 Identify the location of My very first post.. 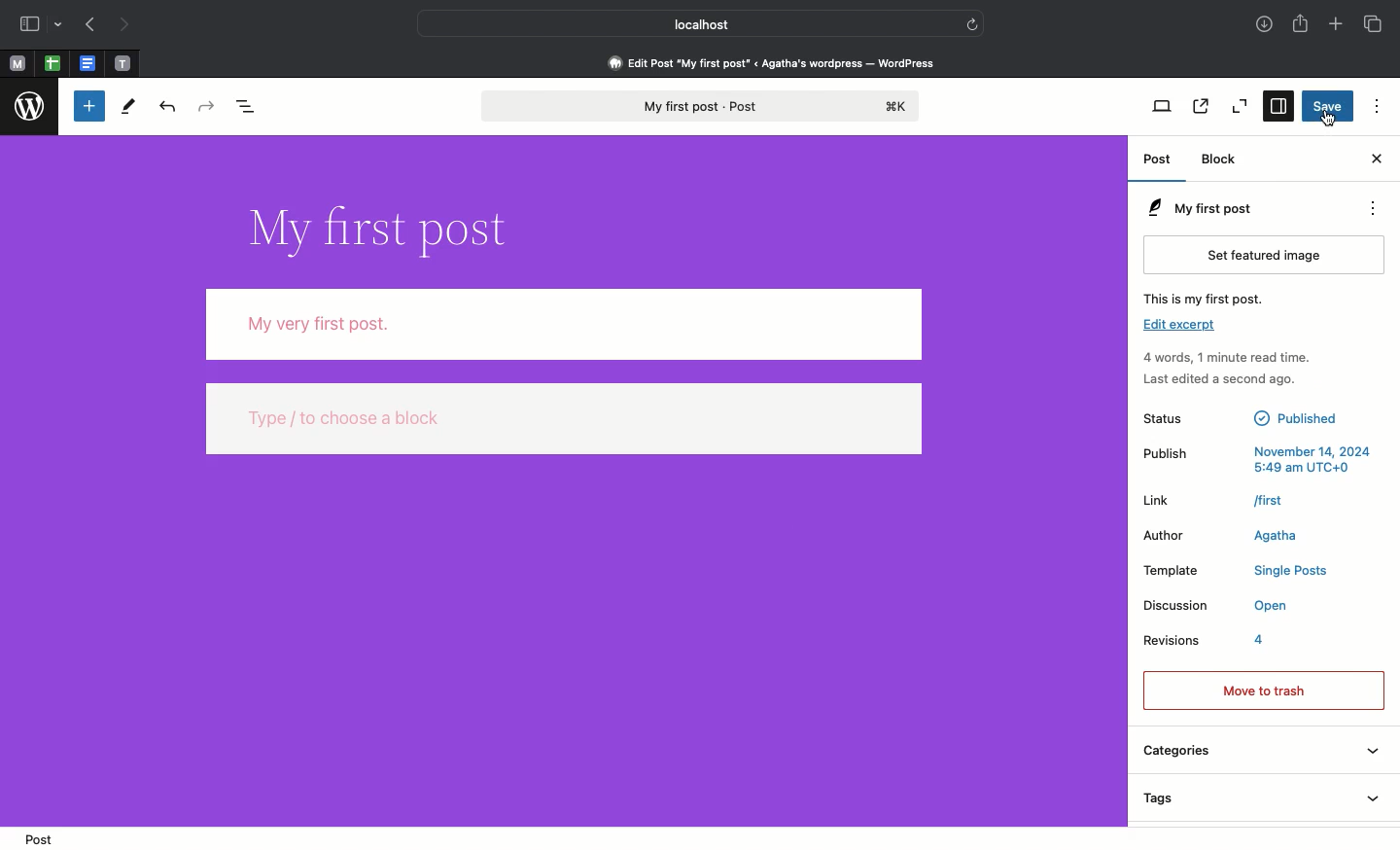
(563, 325).